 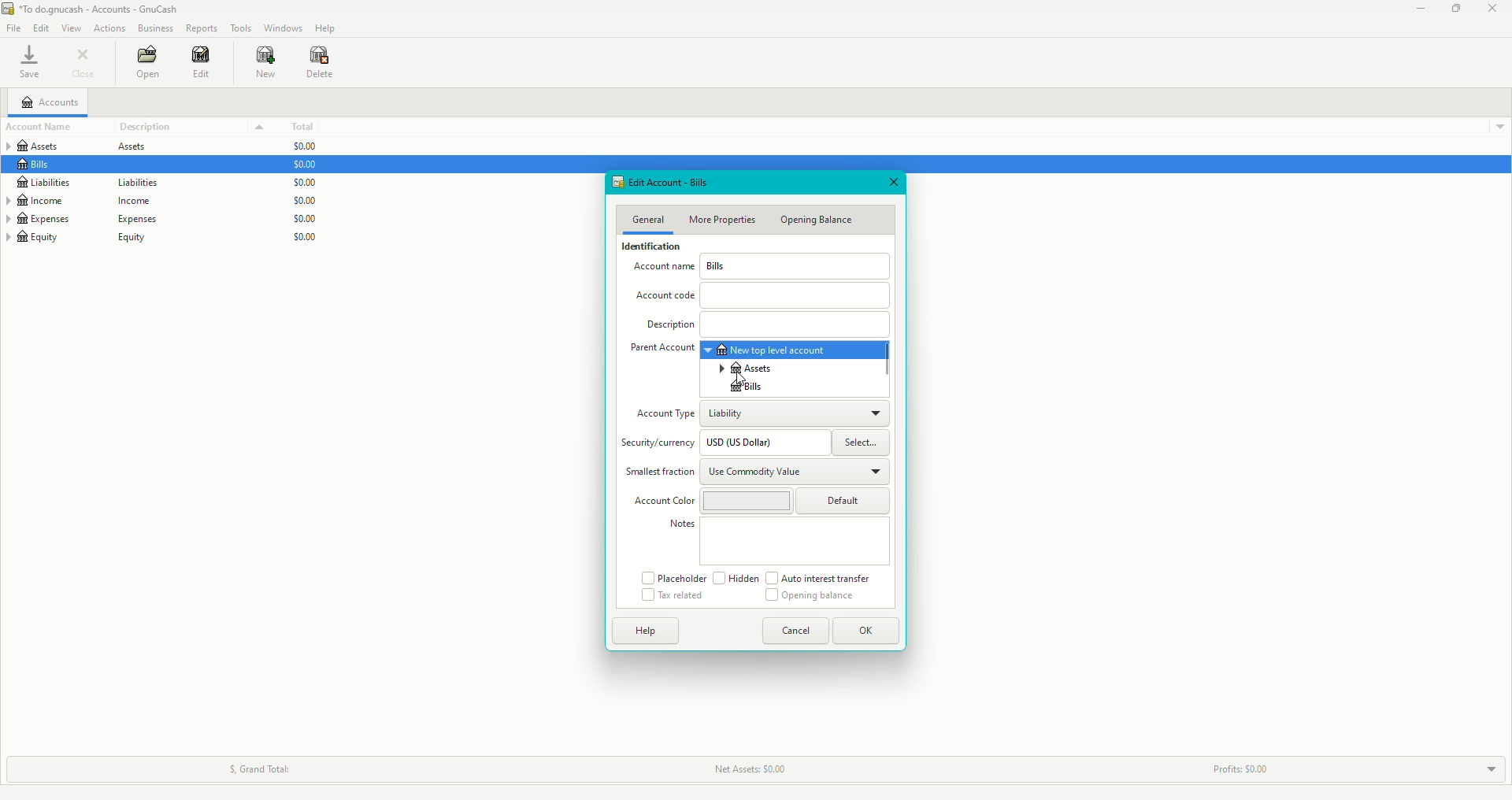 What do you see at coordinates (653, 248) in the screenshot?
I see `Identification` at bounding box center [653, 248].